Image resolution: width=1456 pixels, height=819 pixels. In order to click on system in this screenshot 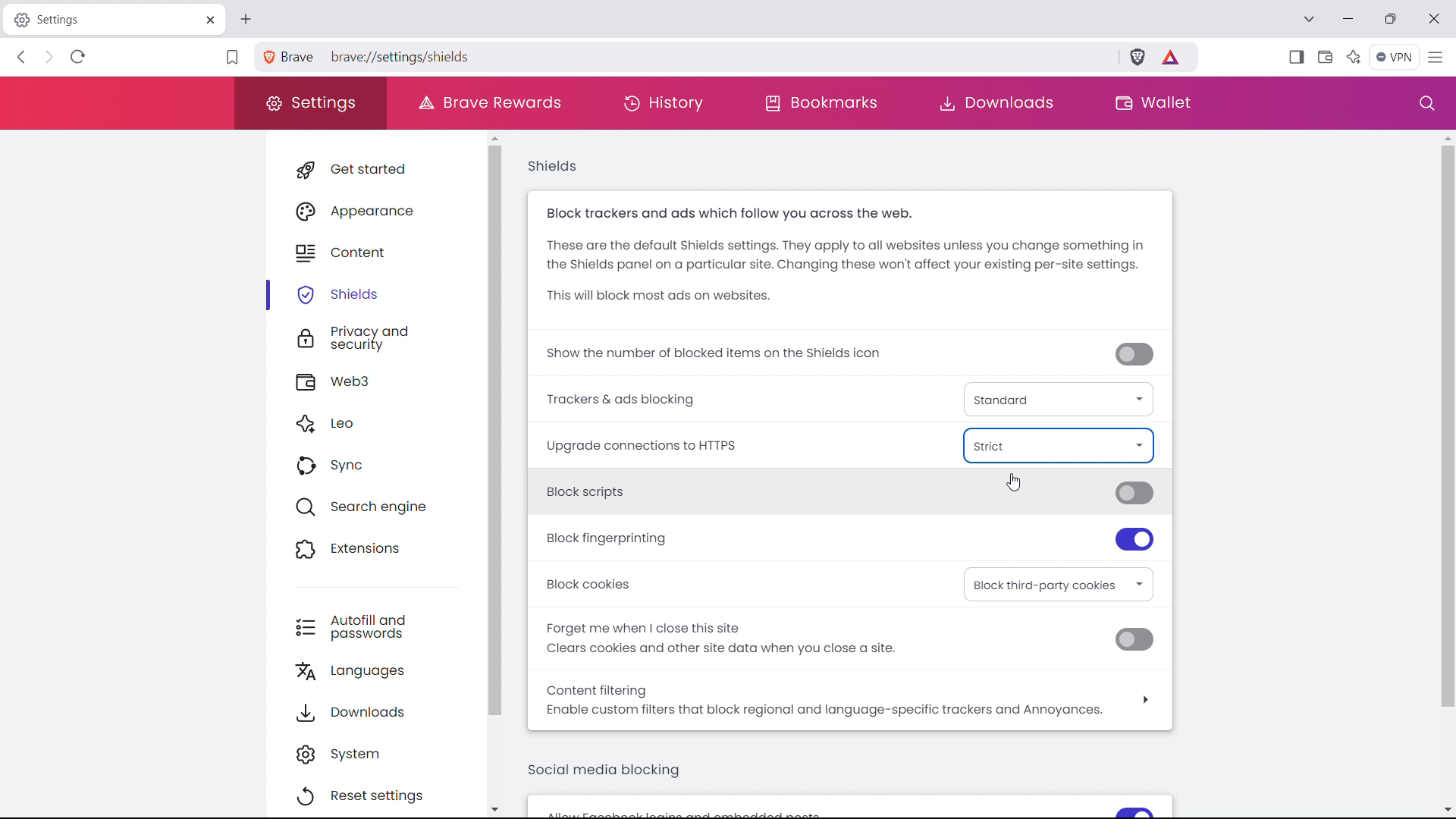, I will do `click(380, 752)`.